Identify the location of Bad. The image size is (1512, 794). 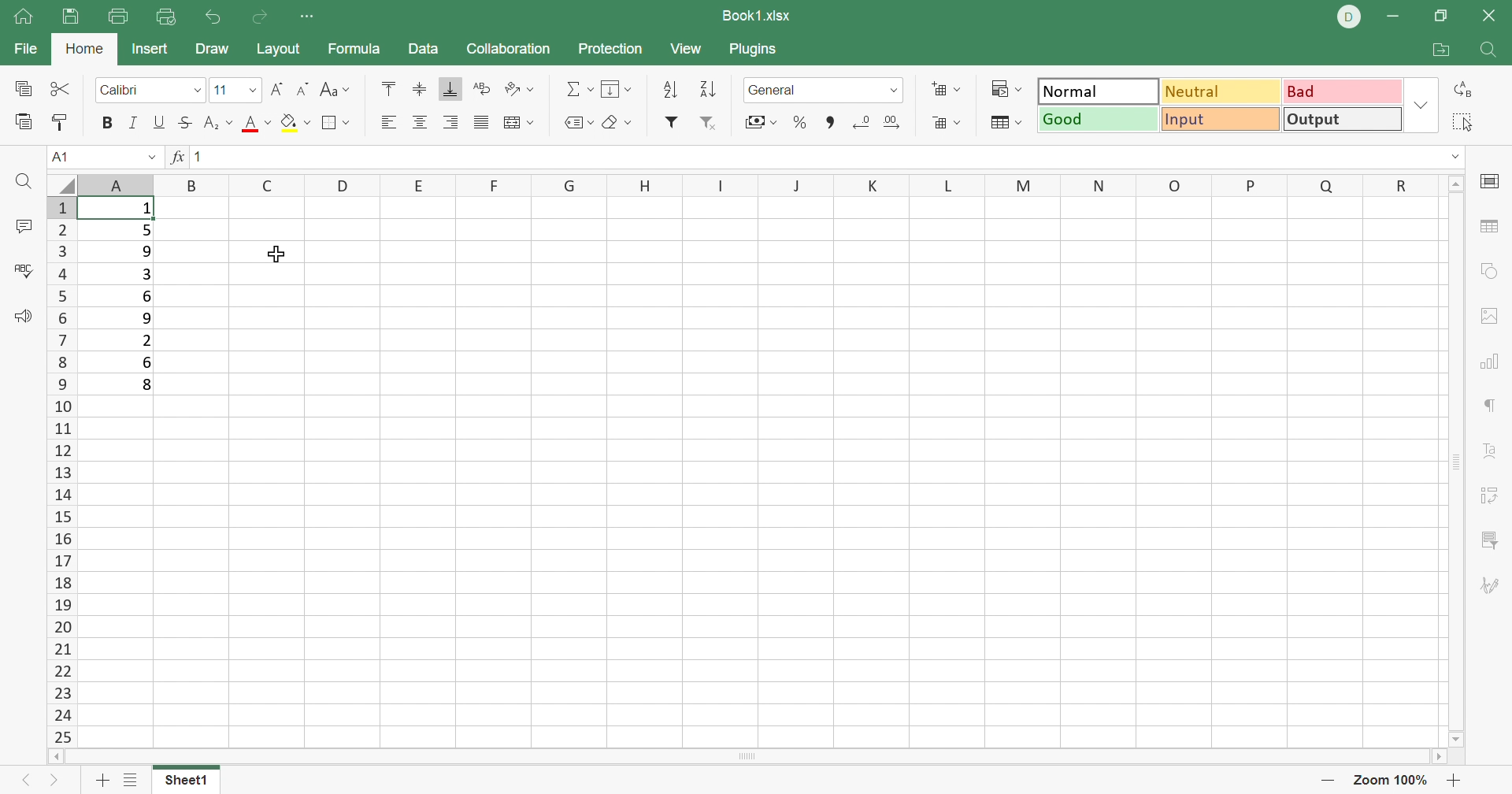
(1339, 91).